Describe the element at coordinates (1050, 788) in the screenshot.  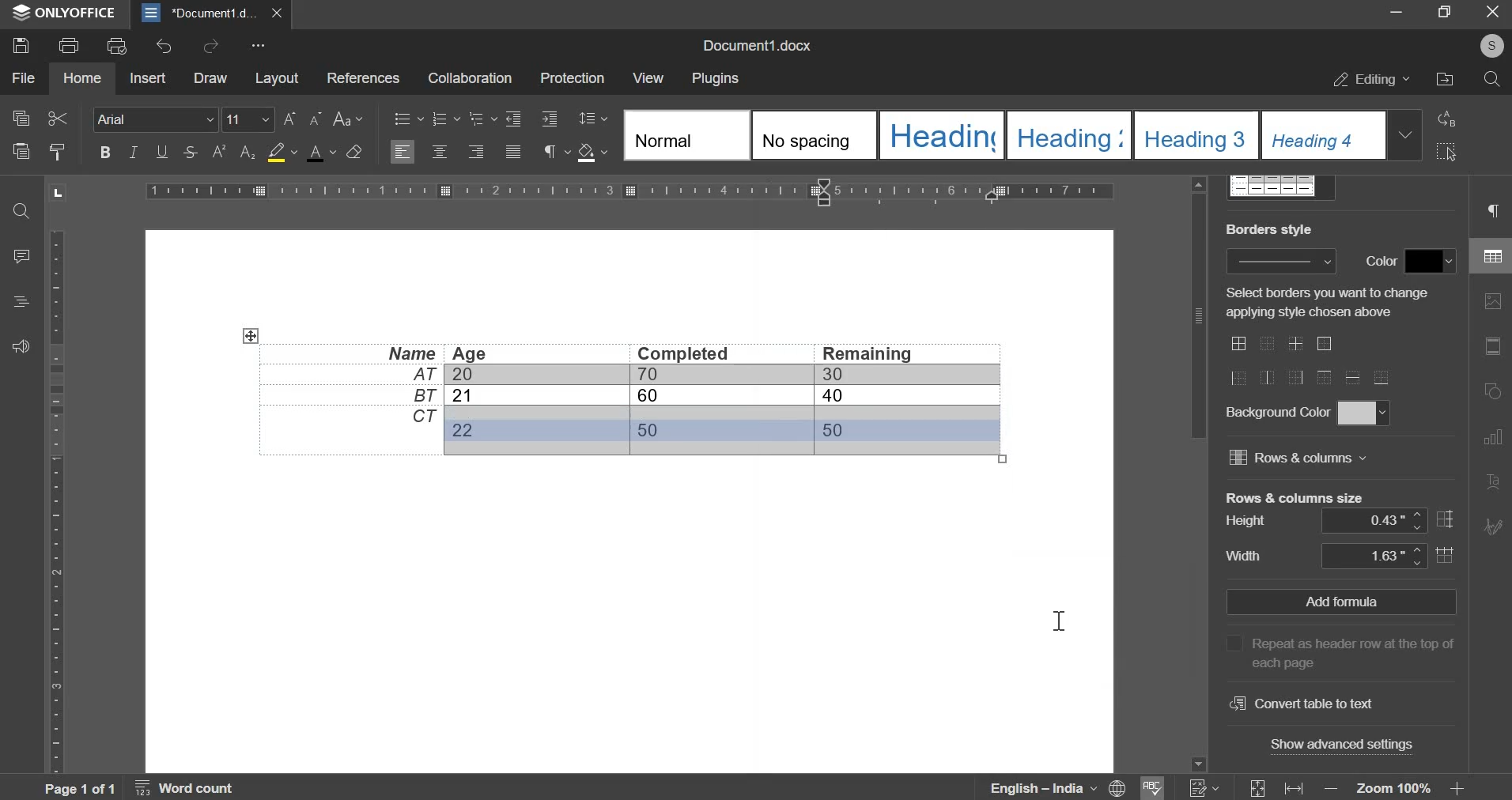
I see `language` at that location.